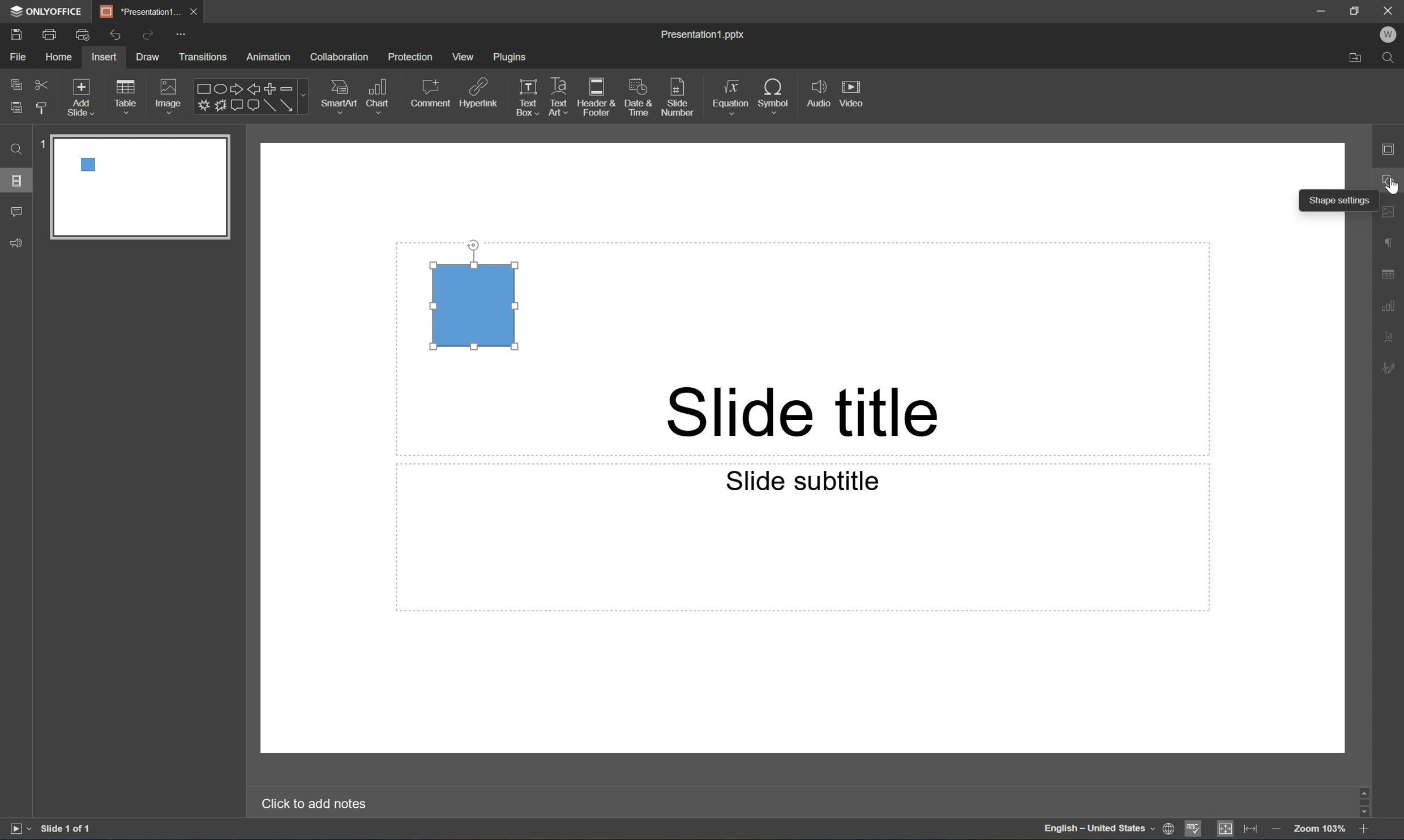 This screenshot has height=840, width=1404. I want to click on Fit to slide, so click(1225, 829).